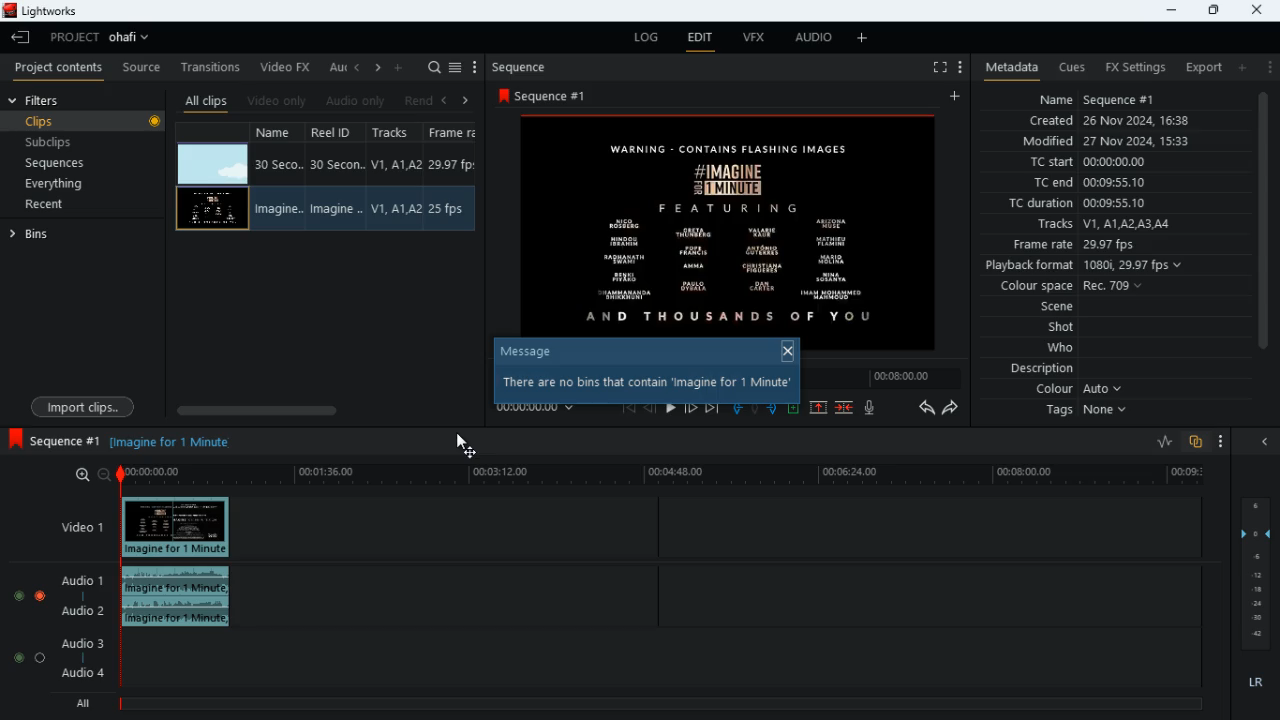 The image size is (1280, 720). What do you see at coordinates (21, 38) in the screenshot?
I see `back` at bounding box center [21, 38].